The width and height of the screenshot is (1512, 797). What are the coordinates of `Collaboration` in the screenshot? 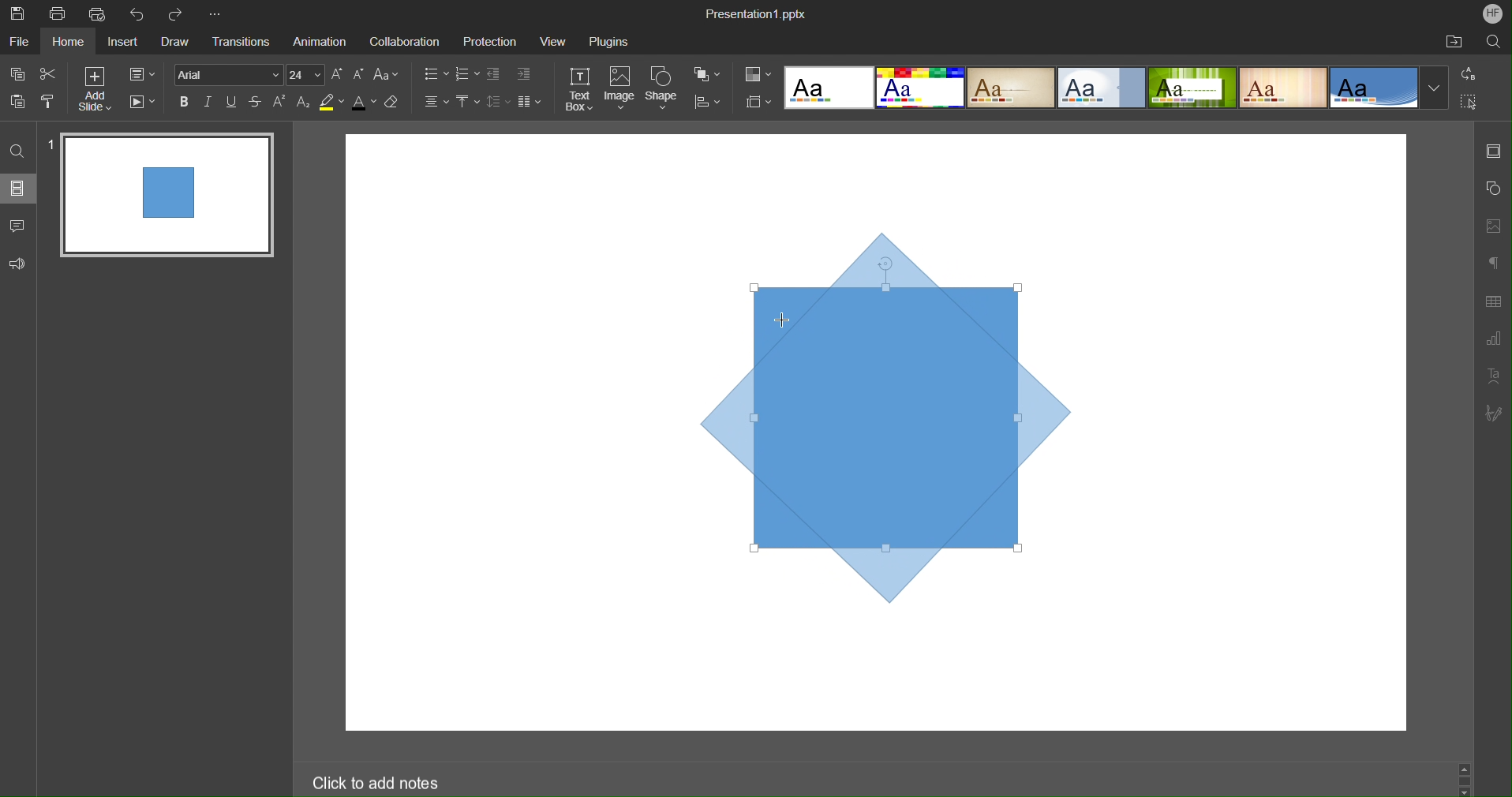 It's located at (402, 39).